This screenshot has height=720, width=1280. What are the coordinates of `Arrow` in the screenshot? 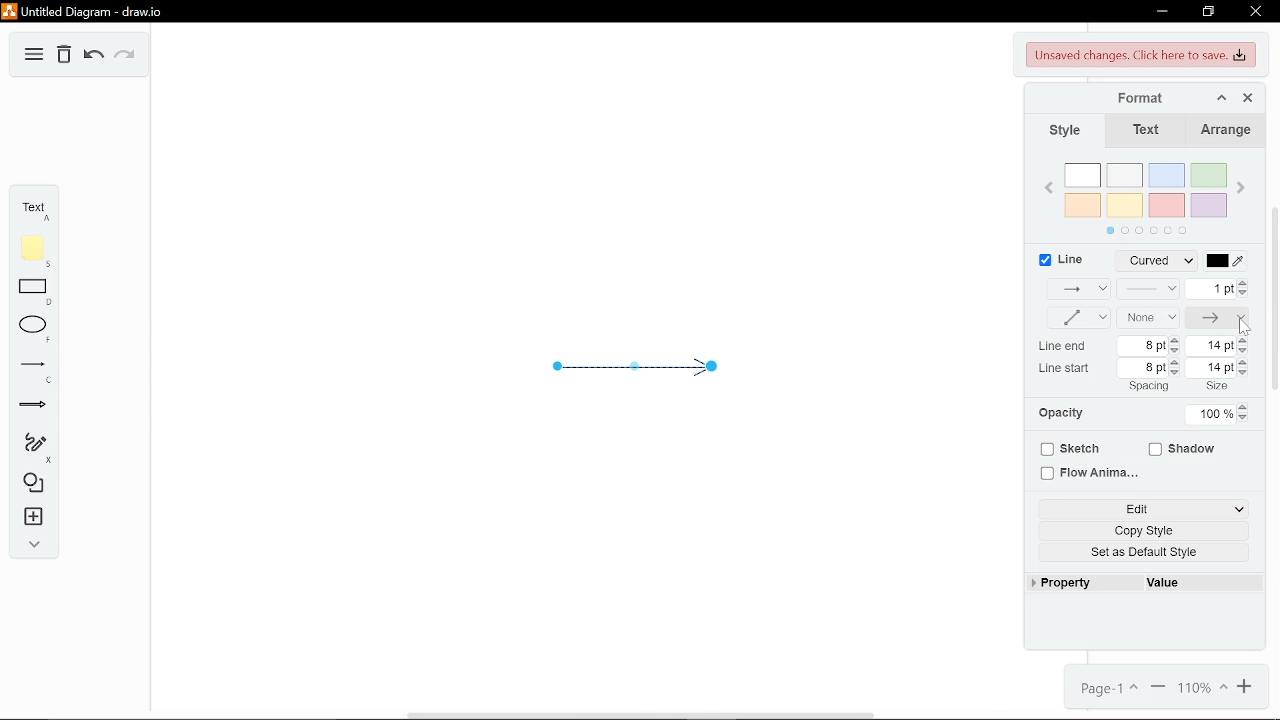 It's located at (37, 409).